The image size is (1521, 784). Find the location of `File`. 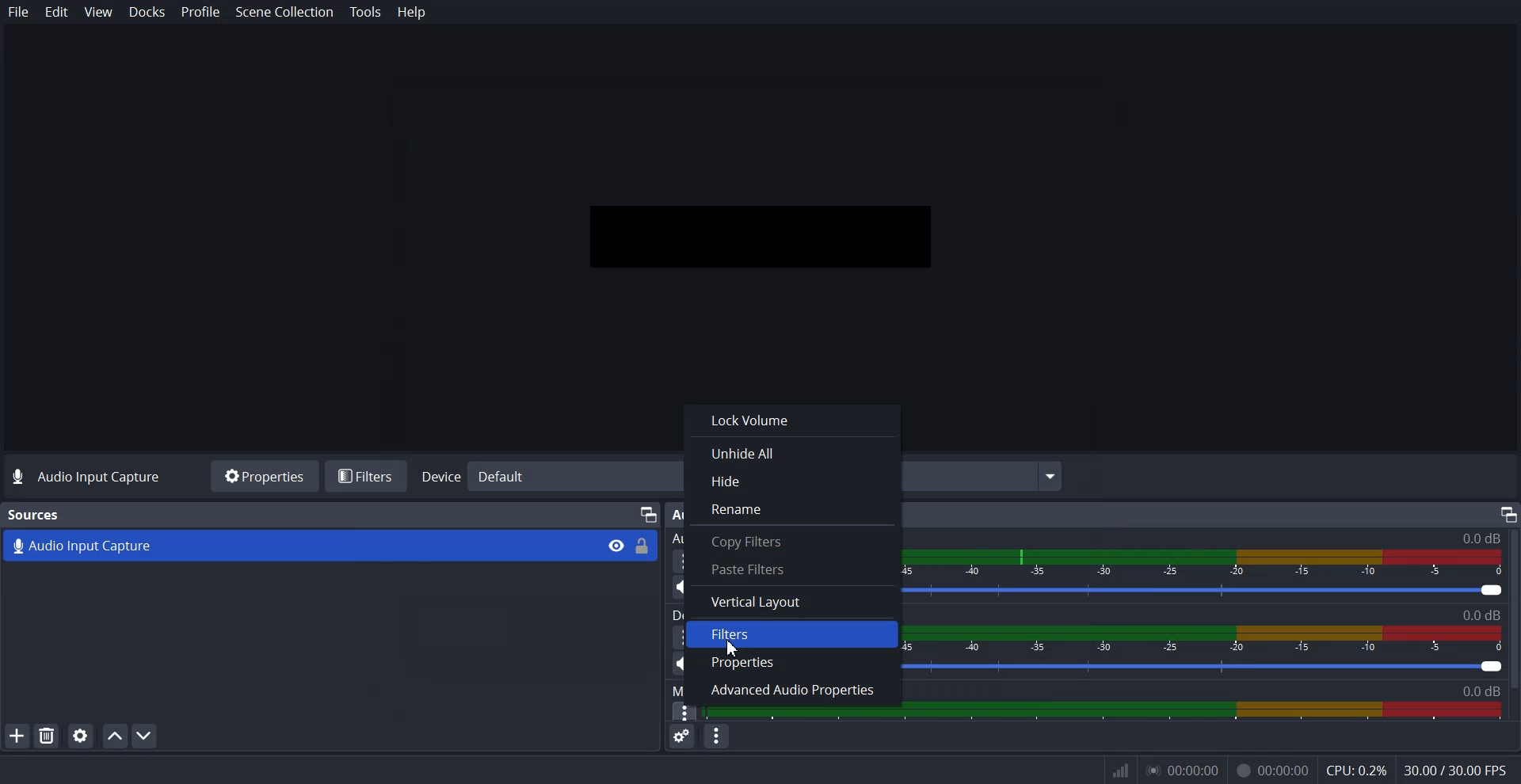

File is located at coordinates (19, 12).